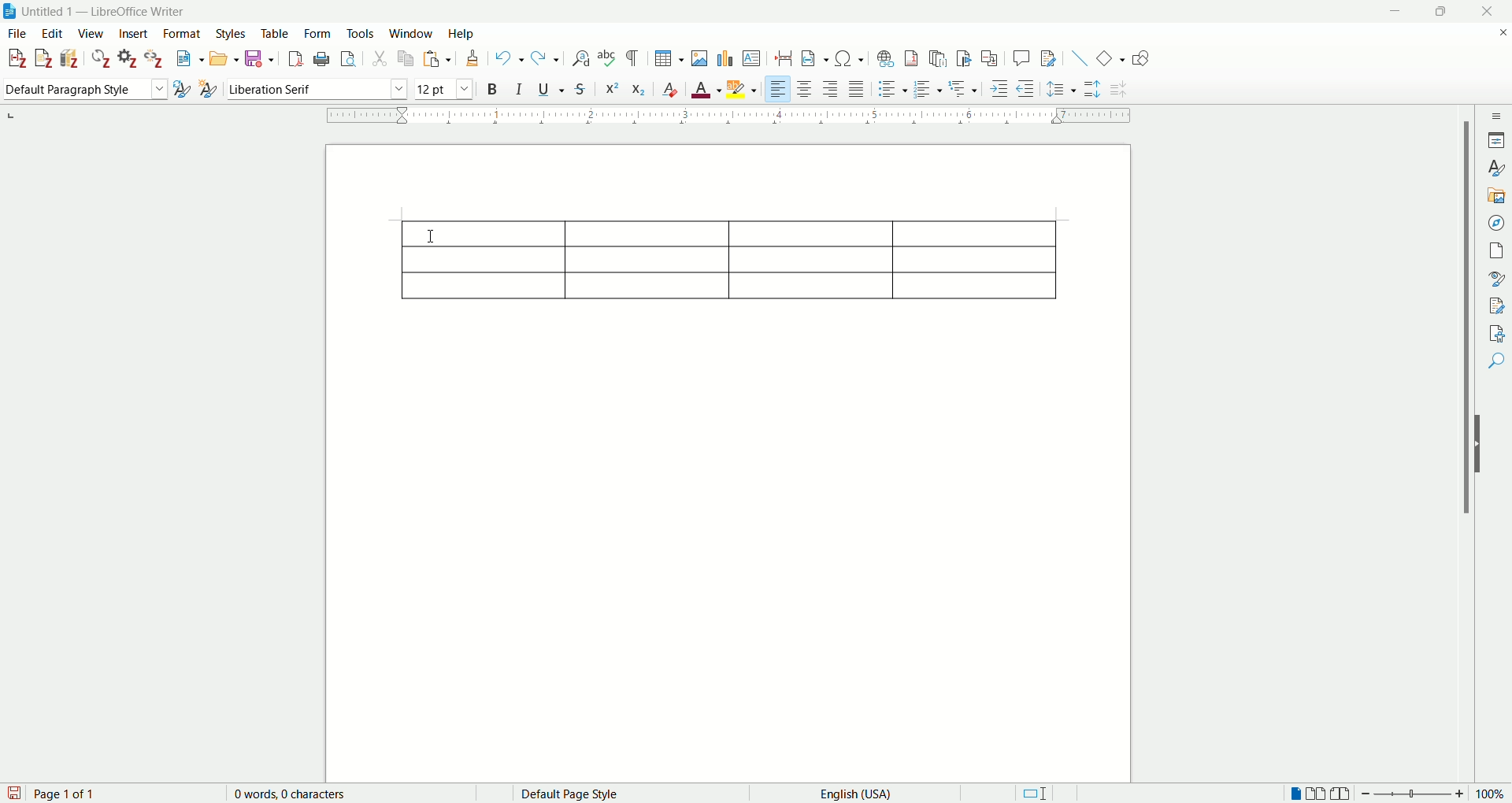 The image size is (1512, 803). Describe the element at coordinates (607, 59) in the screenshot. I see `spelling check` at that location.